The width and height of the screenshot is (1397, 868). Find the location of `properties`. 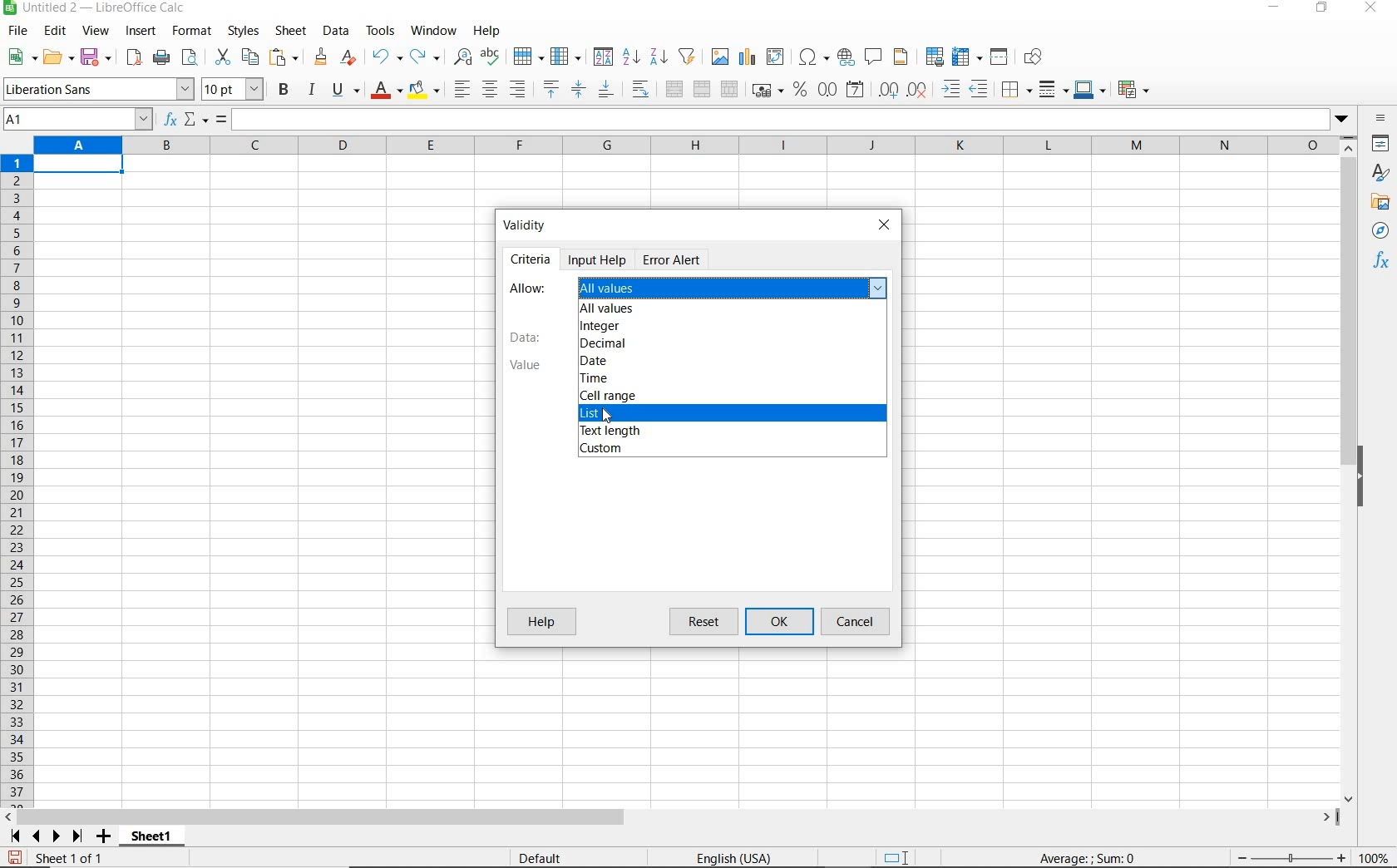

properties is located at coordinates (1382, 145).